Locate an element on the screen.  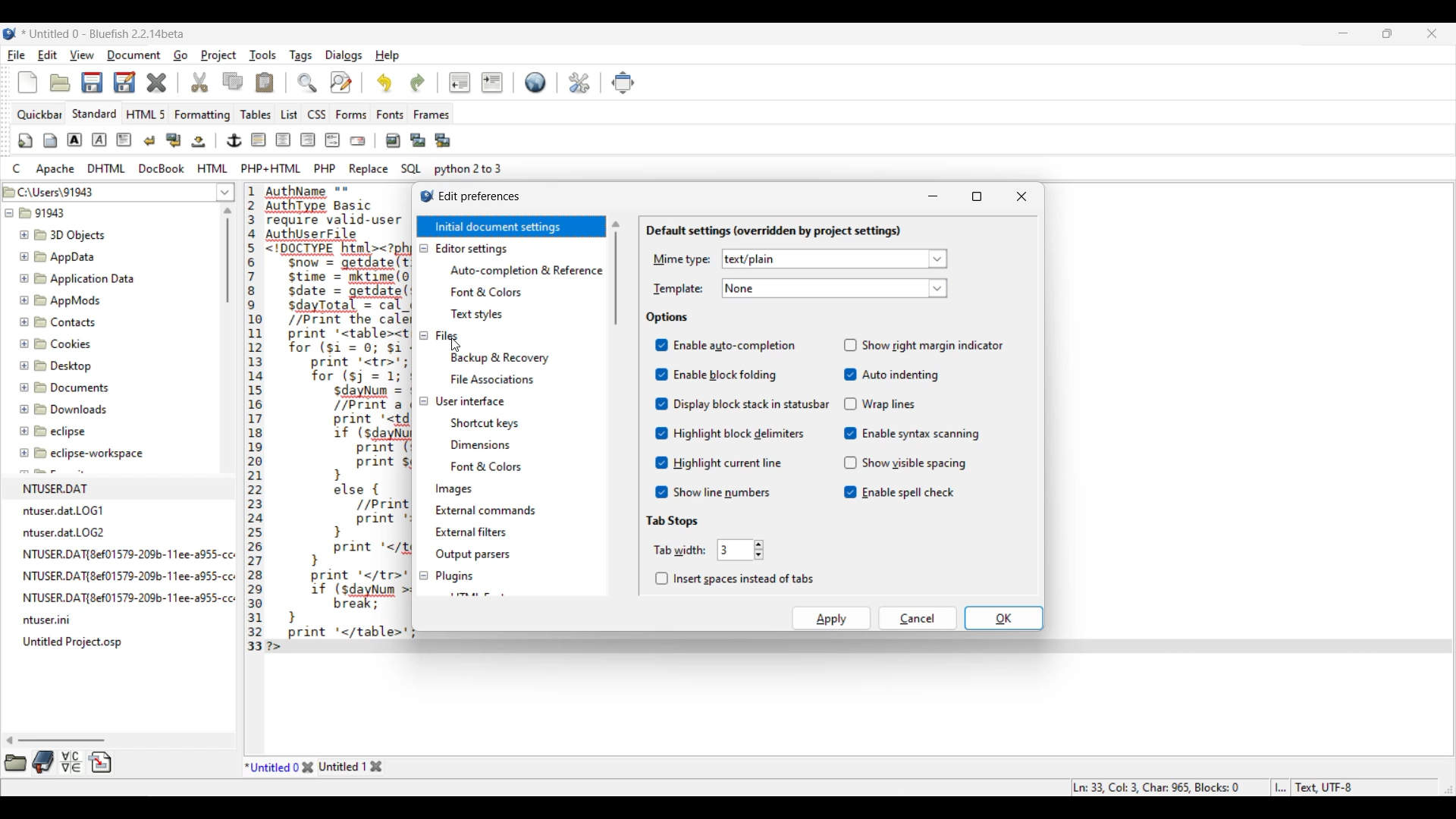
Horizontal slide bar is located at coordinates (55, 740).